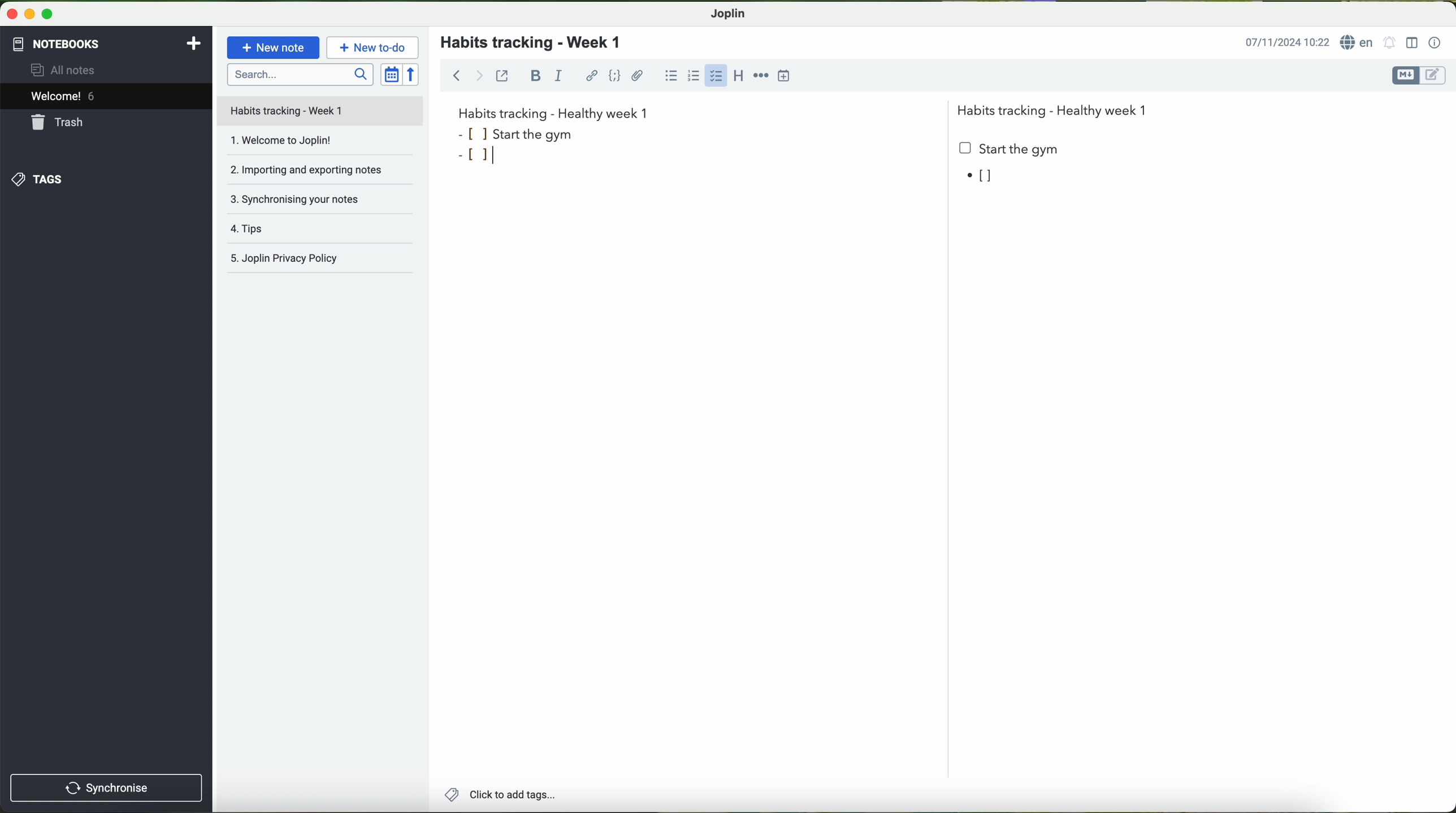  I want to click on Joplin privacy policy, so click(321, 260).